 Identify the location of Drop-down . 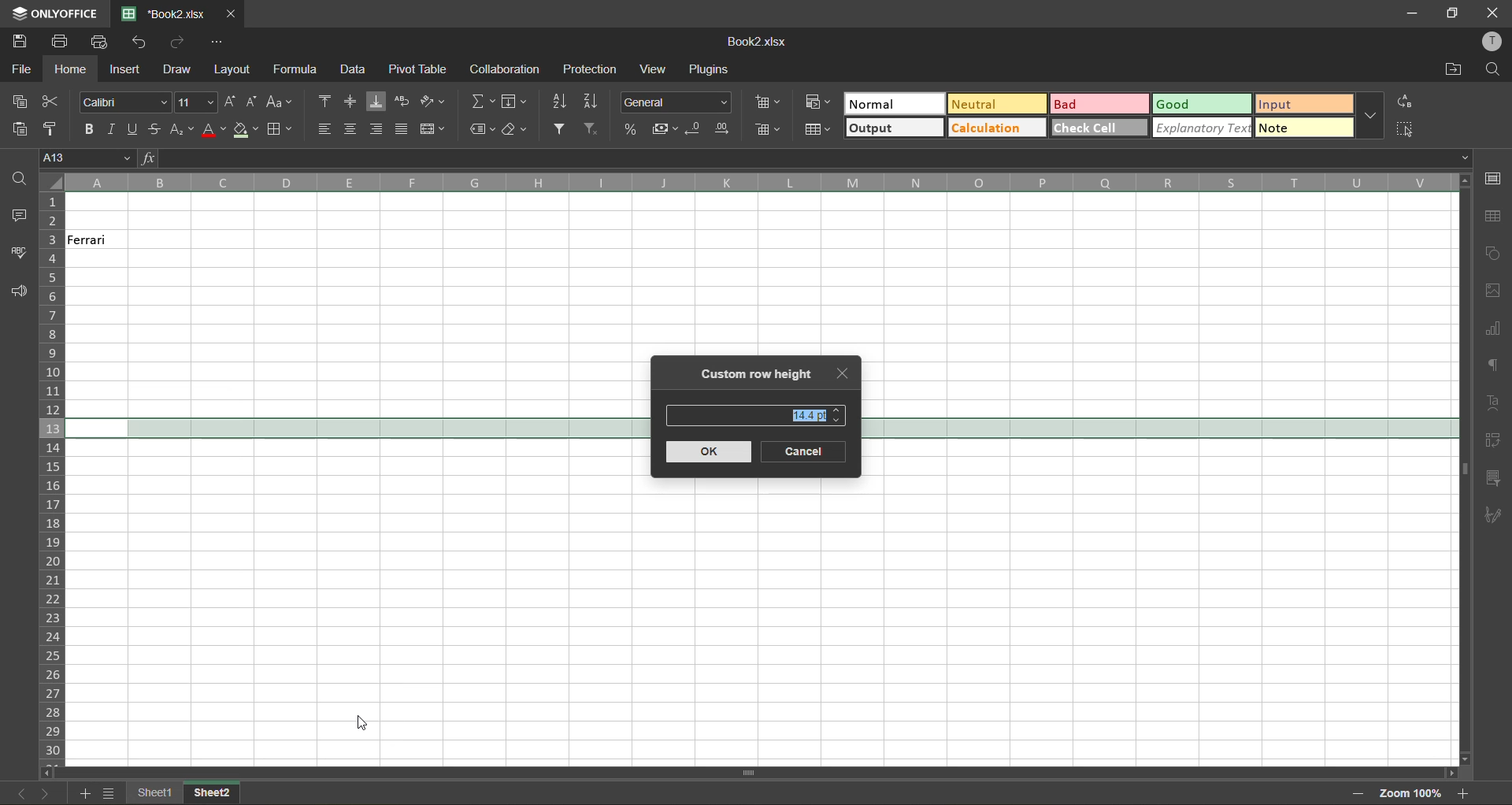
(1467, 157).